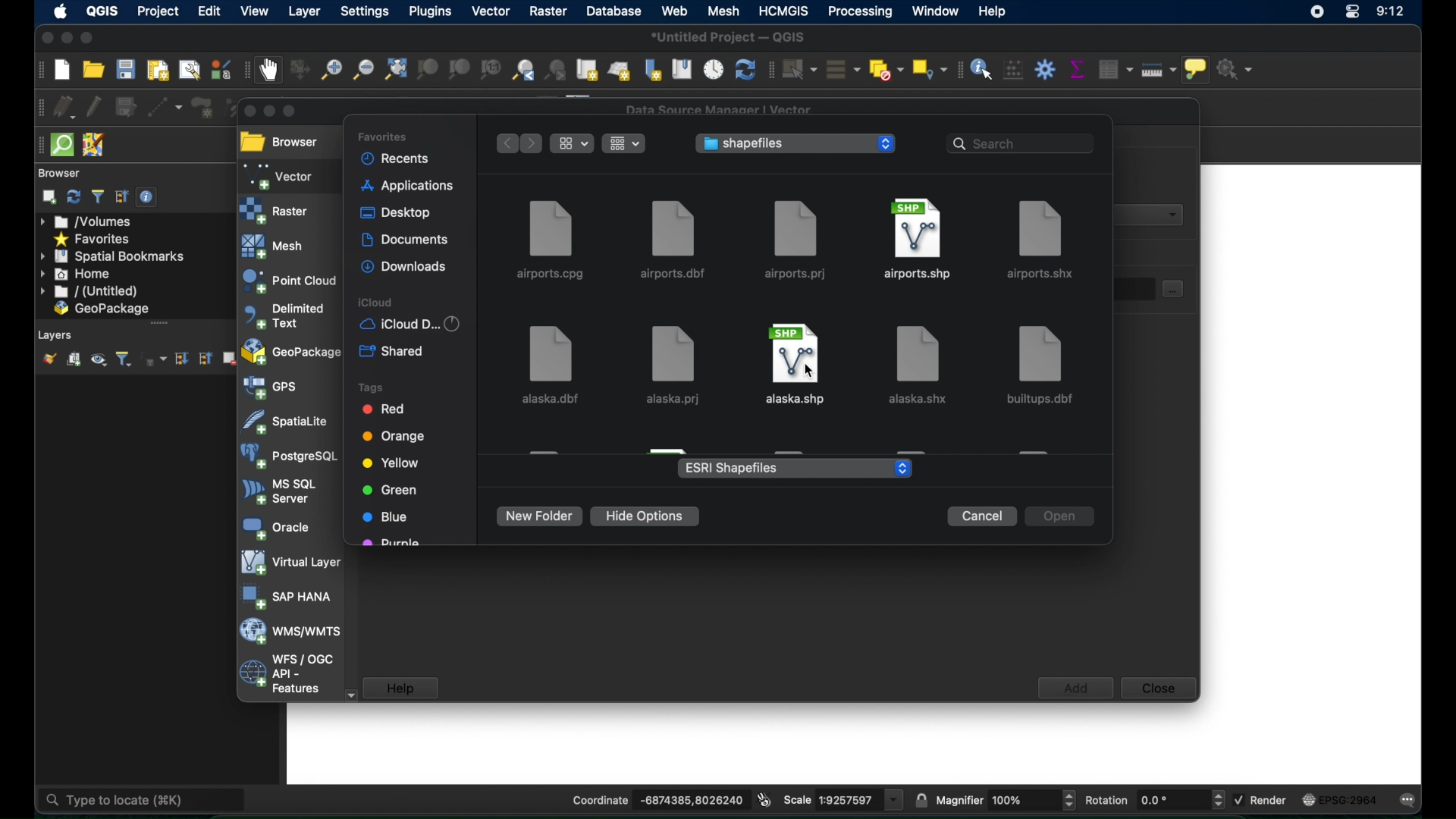 Image resolution: width=1456 pixels, height=819 pixels. Describe the element at coordinates (127, 71) in the screenshot. I see `save project` at that location.